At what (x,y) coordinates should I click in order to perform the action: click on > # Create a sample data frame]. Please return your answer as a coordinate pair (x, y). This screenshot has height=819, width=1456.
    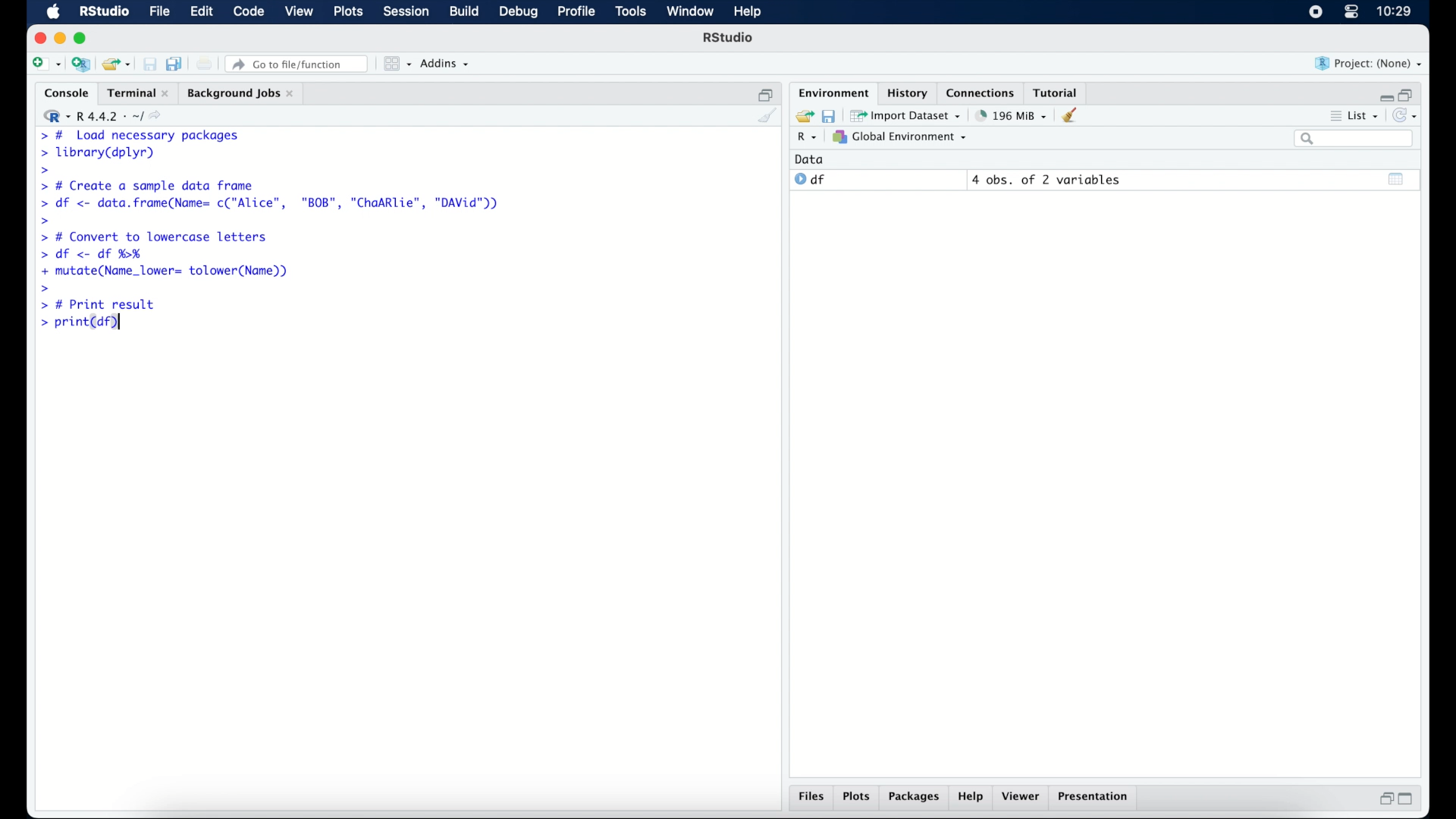
    Looking at the image, I should click on (150, 185).